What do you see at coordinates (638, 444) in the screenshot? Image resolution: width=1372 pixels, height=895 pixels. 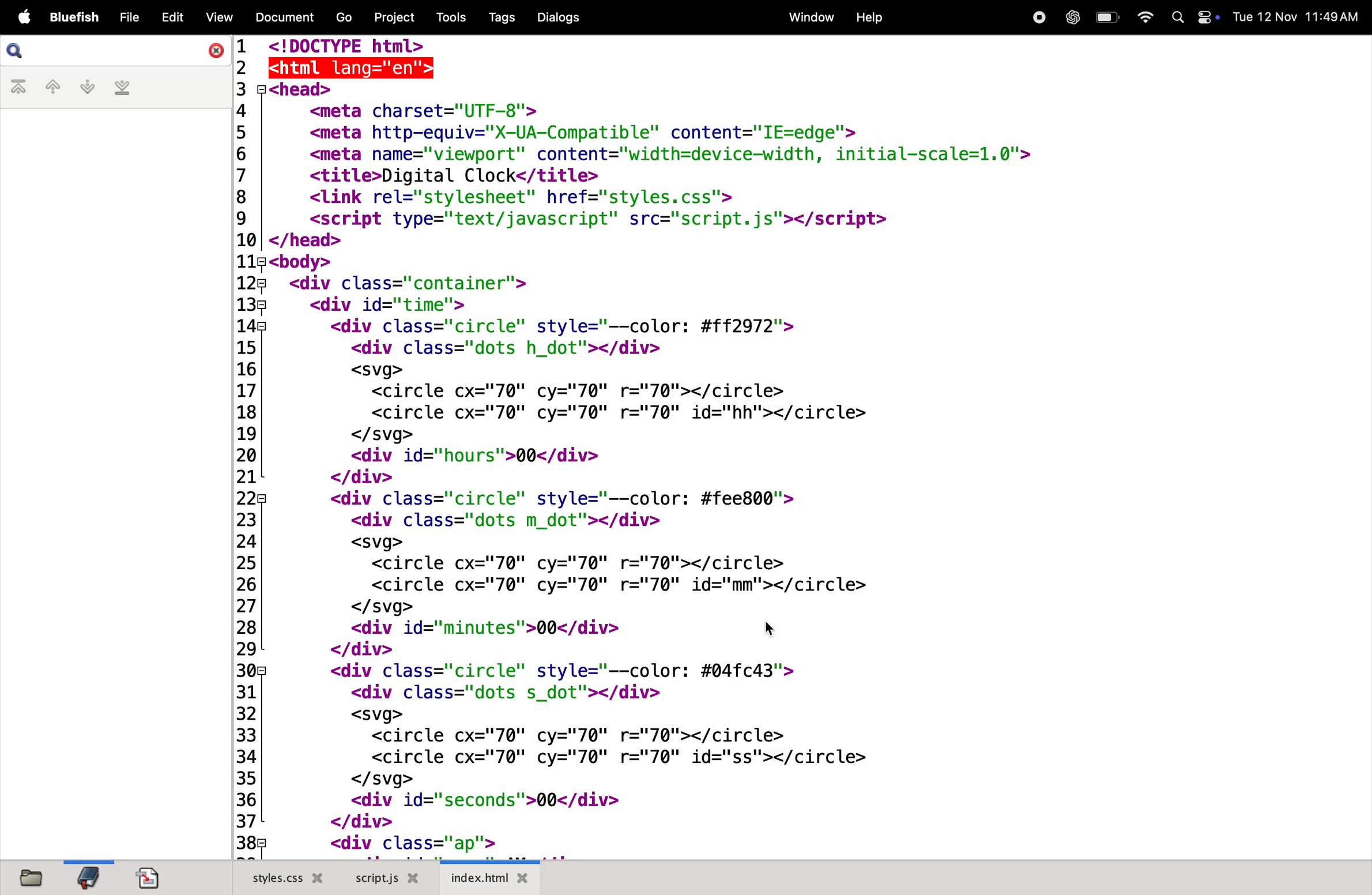 I see `code block` at bounding box center [638, 444].